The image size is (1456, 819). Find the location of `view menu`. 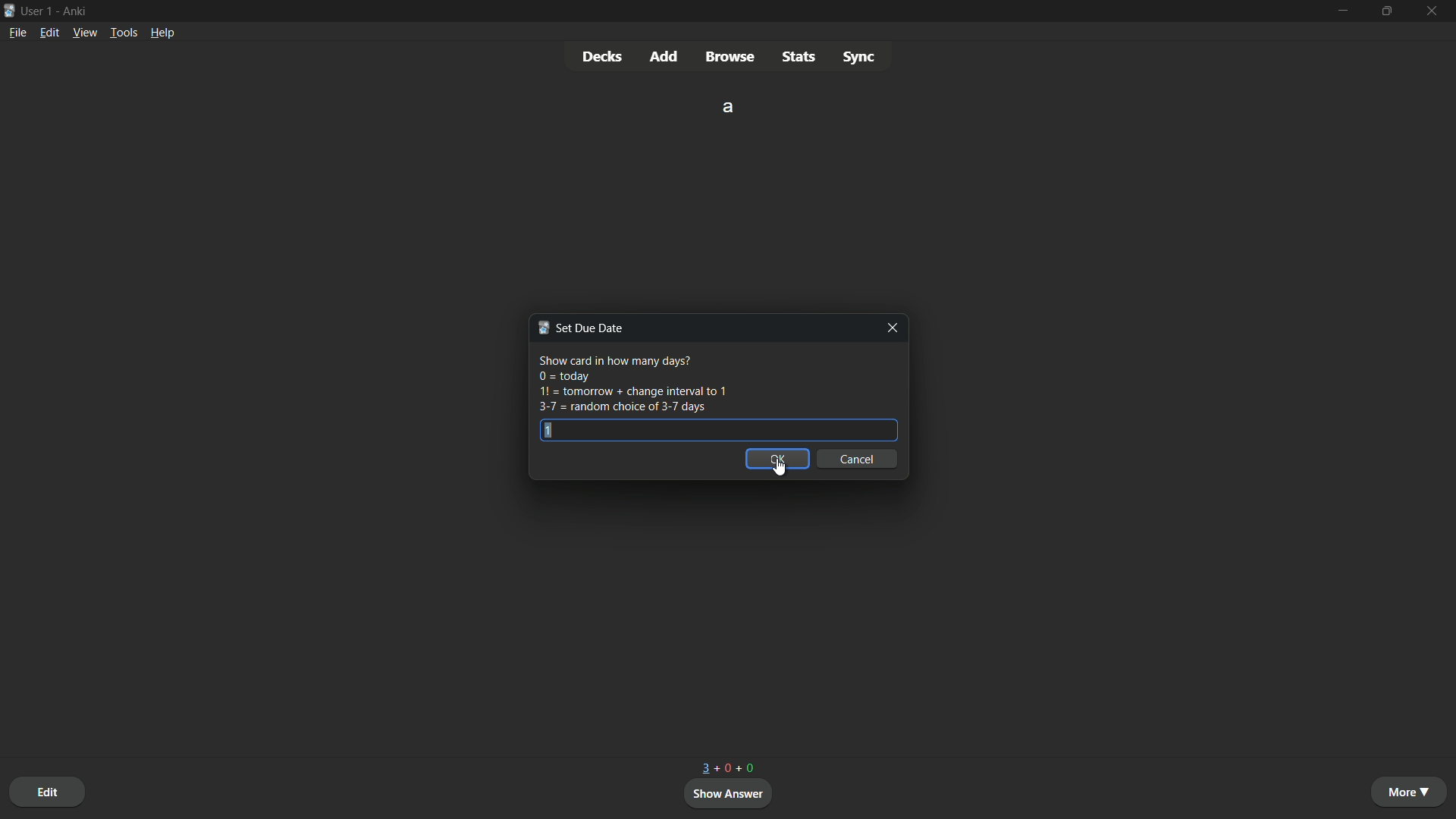

view menu is located at coordinates (85, 33).